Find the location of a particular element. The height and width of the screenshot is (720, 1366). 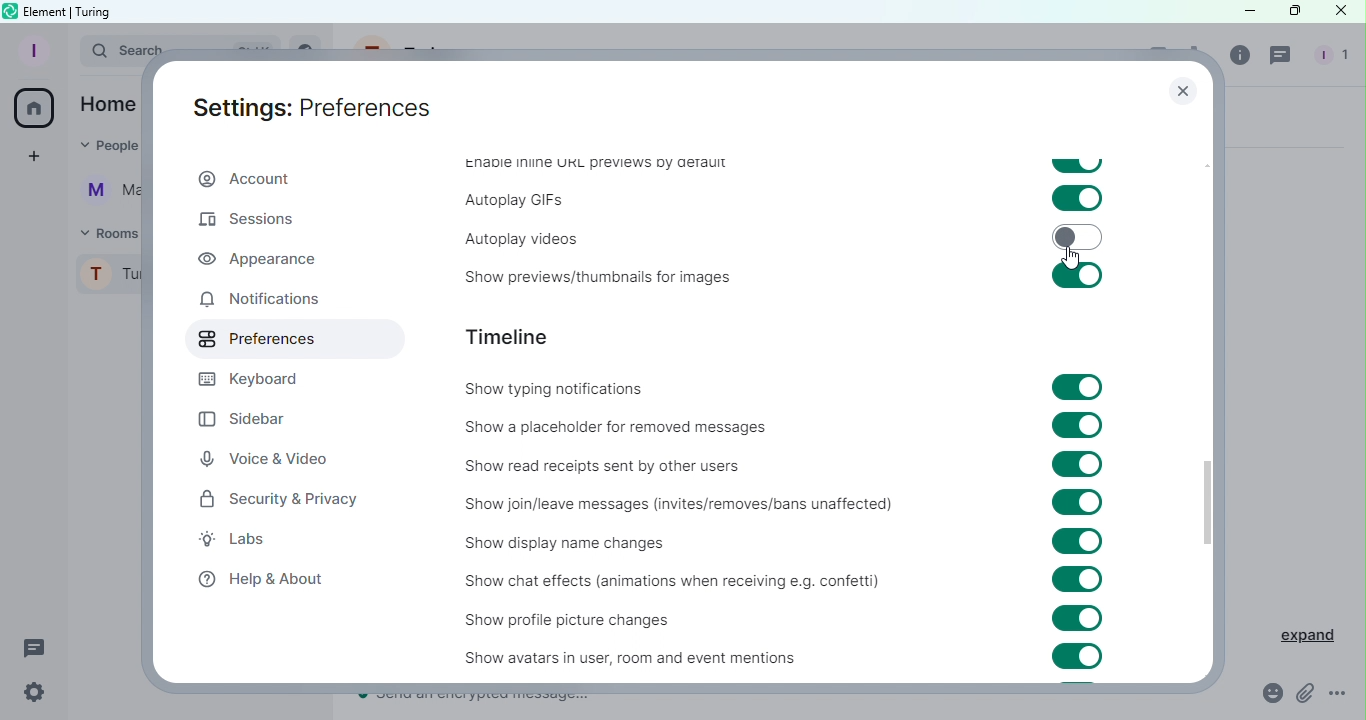

SHow a placeholder for removed messages is located at coordinates (621, 426).